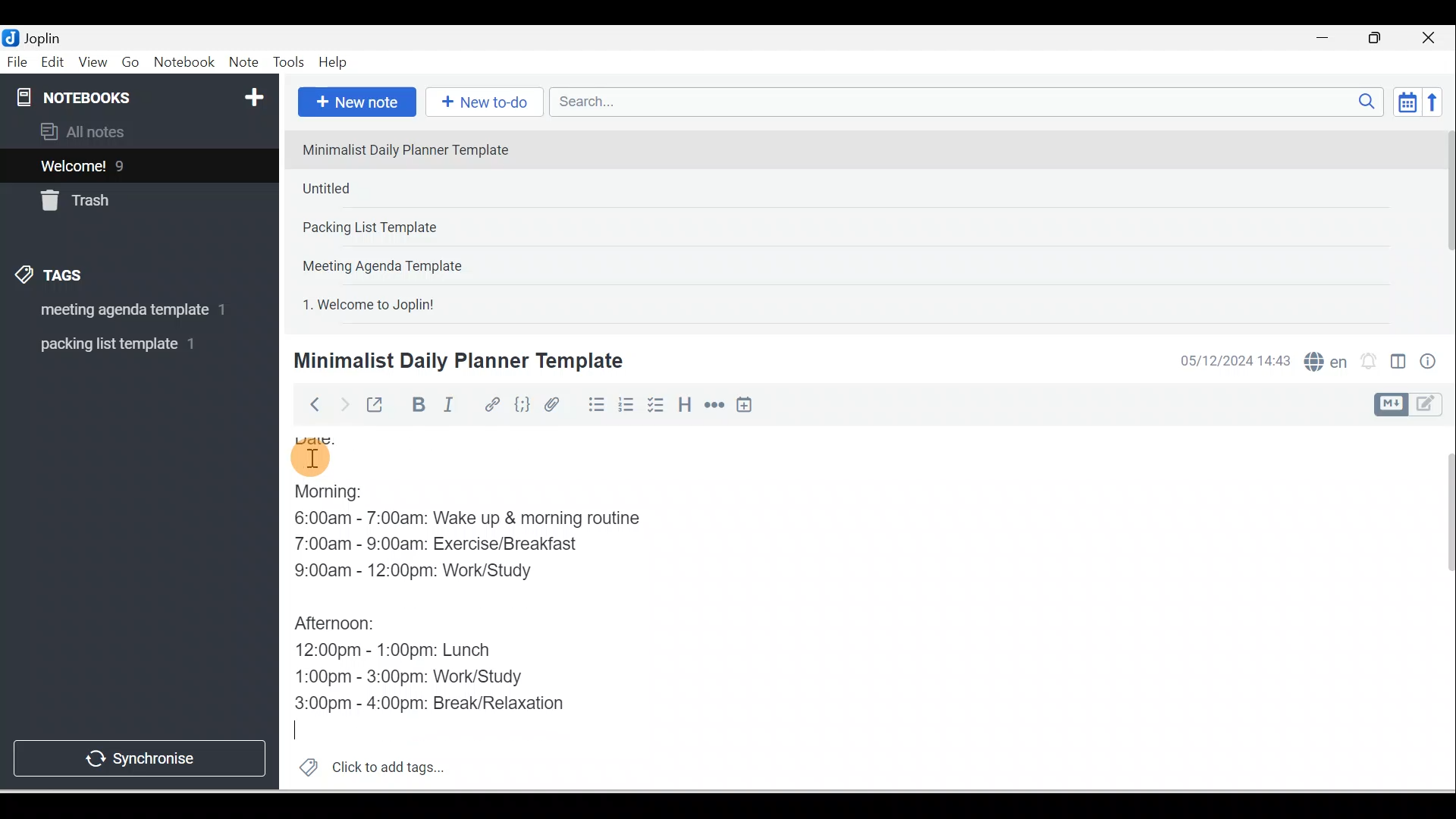 Image resolution: width=1456 pixels, height=819 pixels. What do you see at coordinates (288, 62) in the screenshot?
I see `Tools` at bounding box center [288, 62].